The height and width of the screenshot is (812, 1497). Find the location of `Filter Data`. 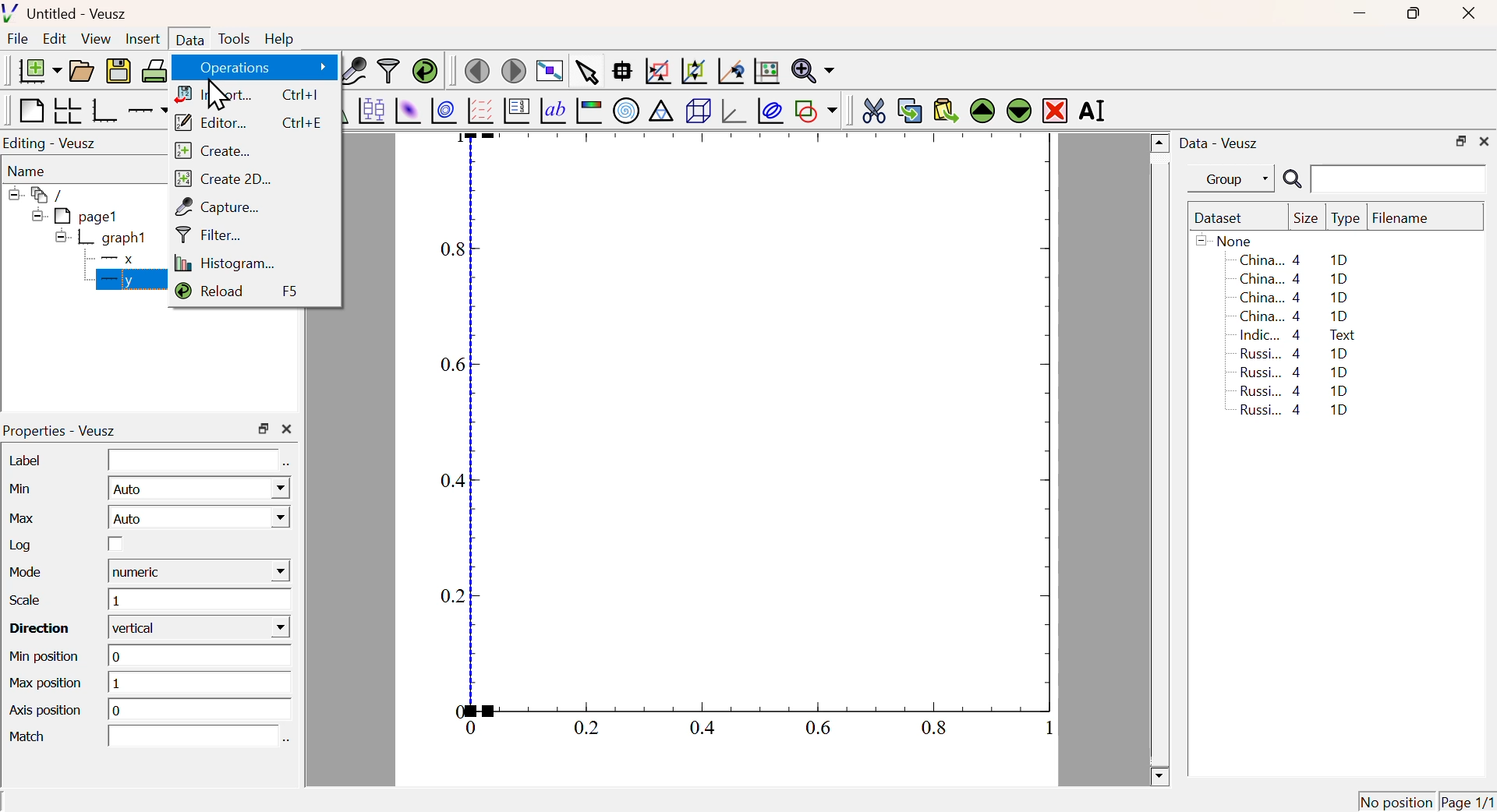

Filter Data is located at coordinates (388, 69).